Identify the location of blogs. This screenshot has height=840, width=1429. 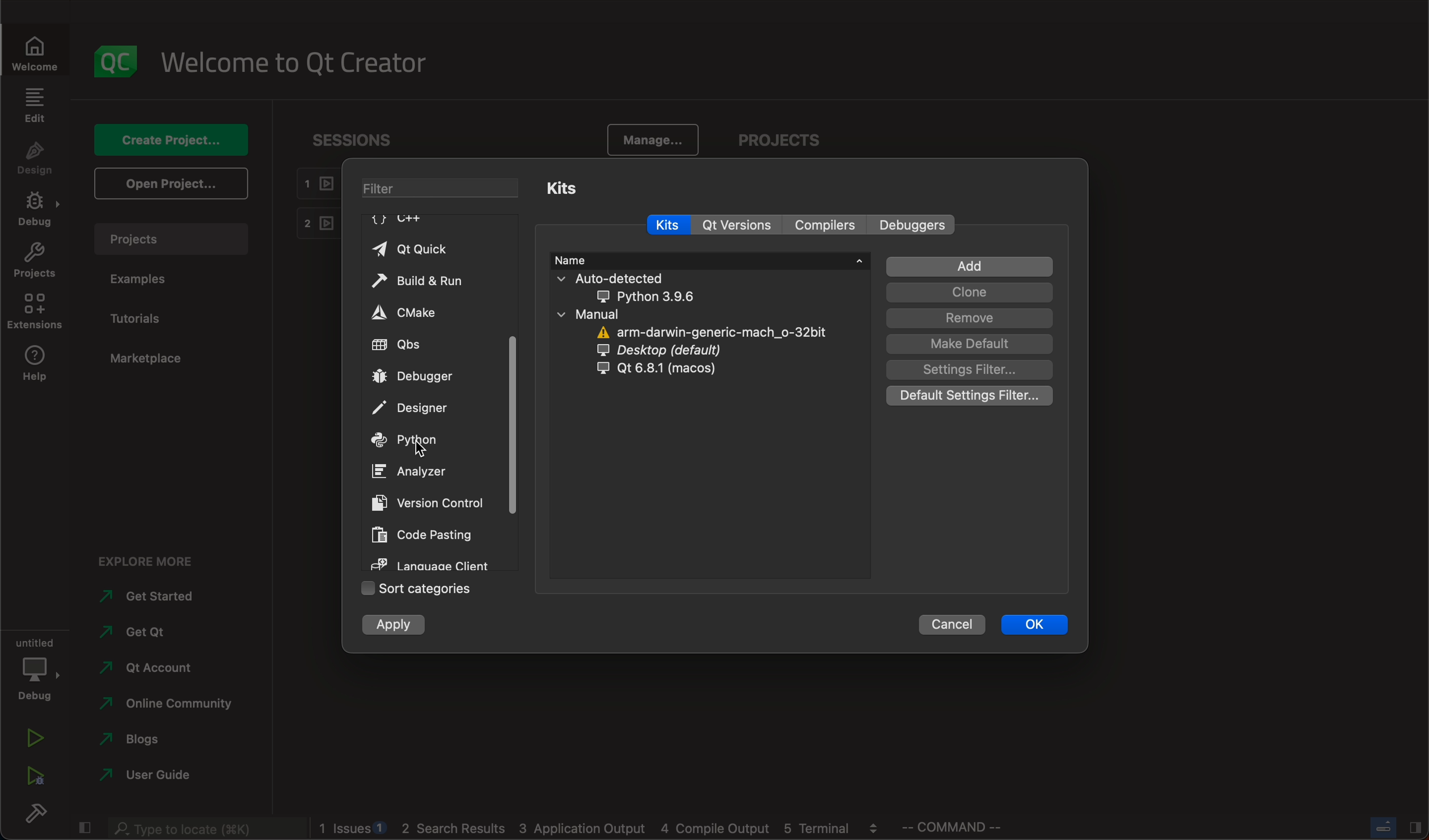
(141, 738).